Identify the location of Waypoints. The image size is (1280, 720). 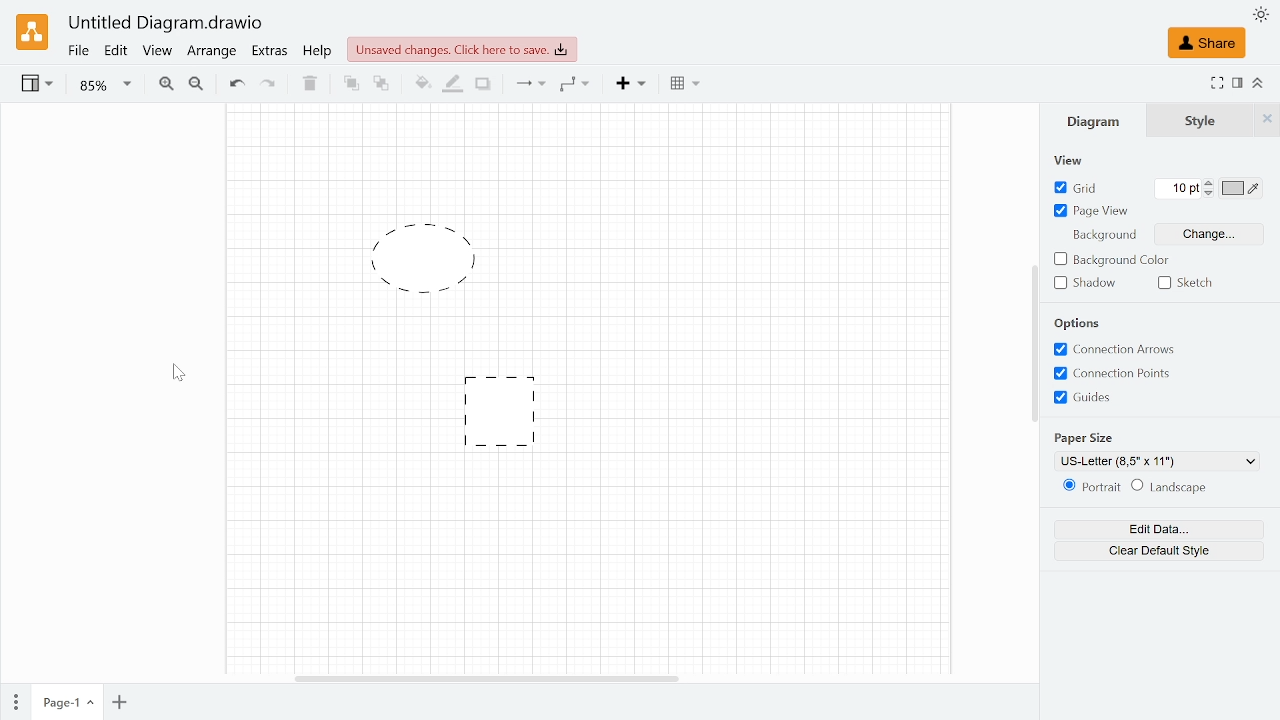
(574, 85).